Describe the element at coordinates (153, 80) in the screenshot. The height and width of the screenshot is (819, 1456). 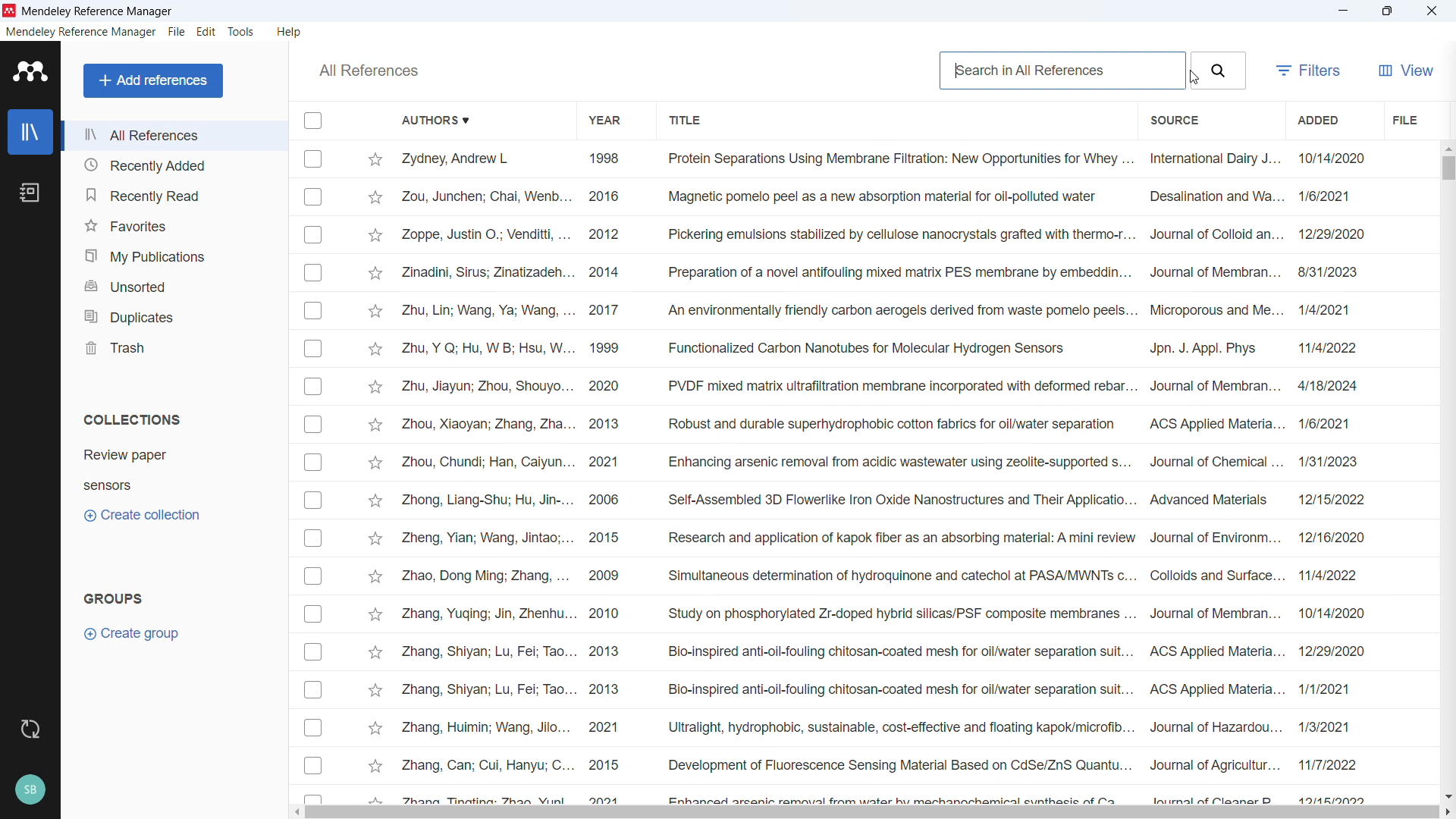
I see `add references` at that location.